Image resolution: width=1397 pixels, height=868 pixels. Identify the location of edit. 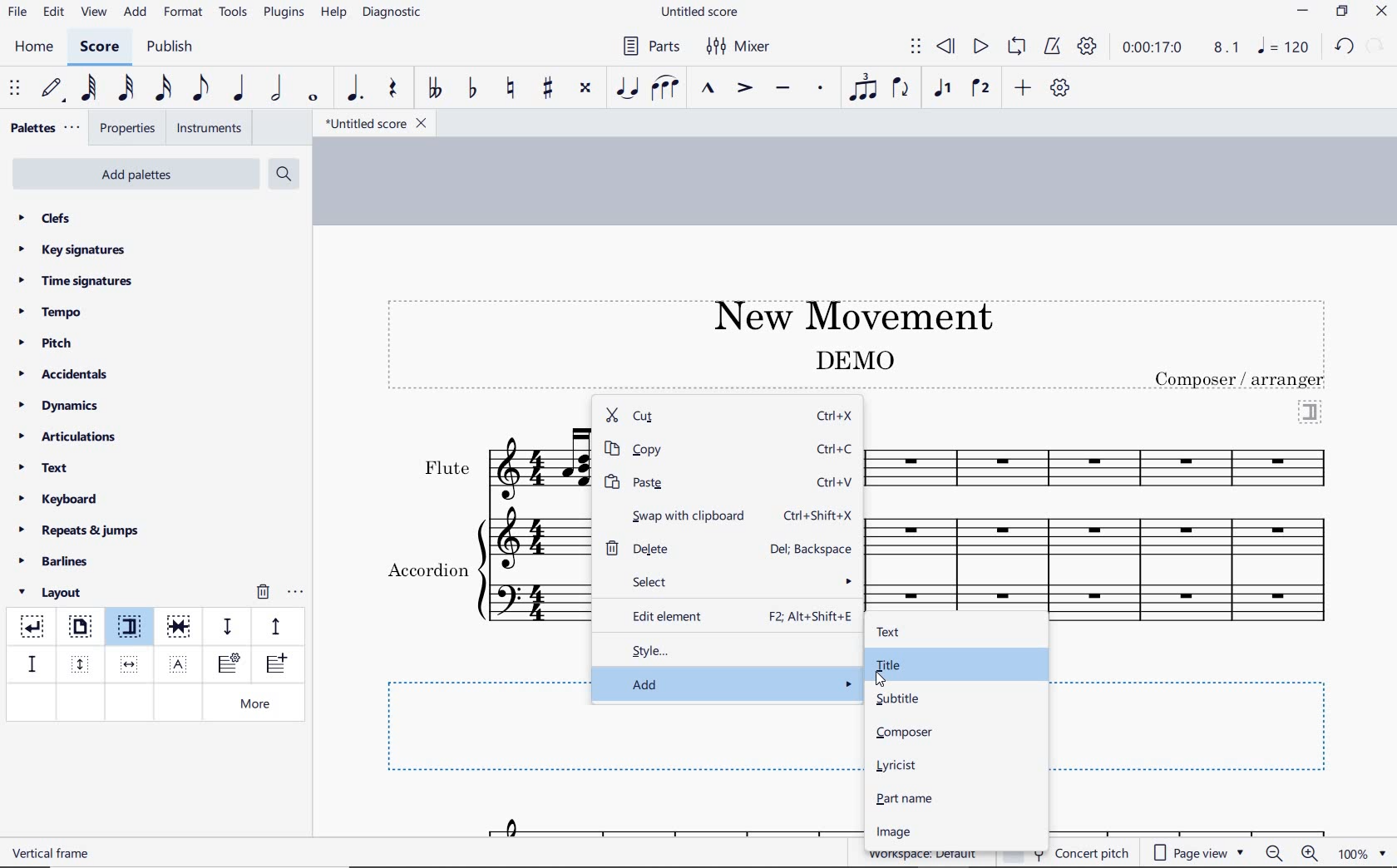
(52, 12).